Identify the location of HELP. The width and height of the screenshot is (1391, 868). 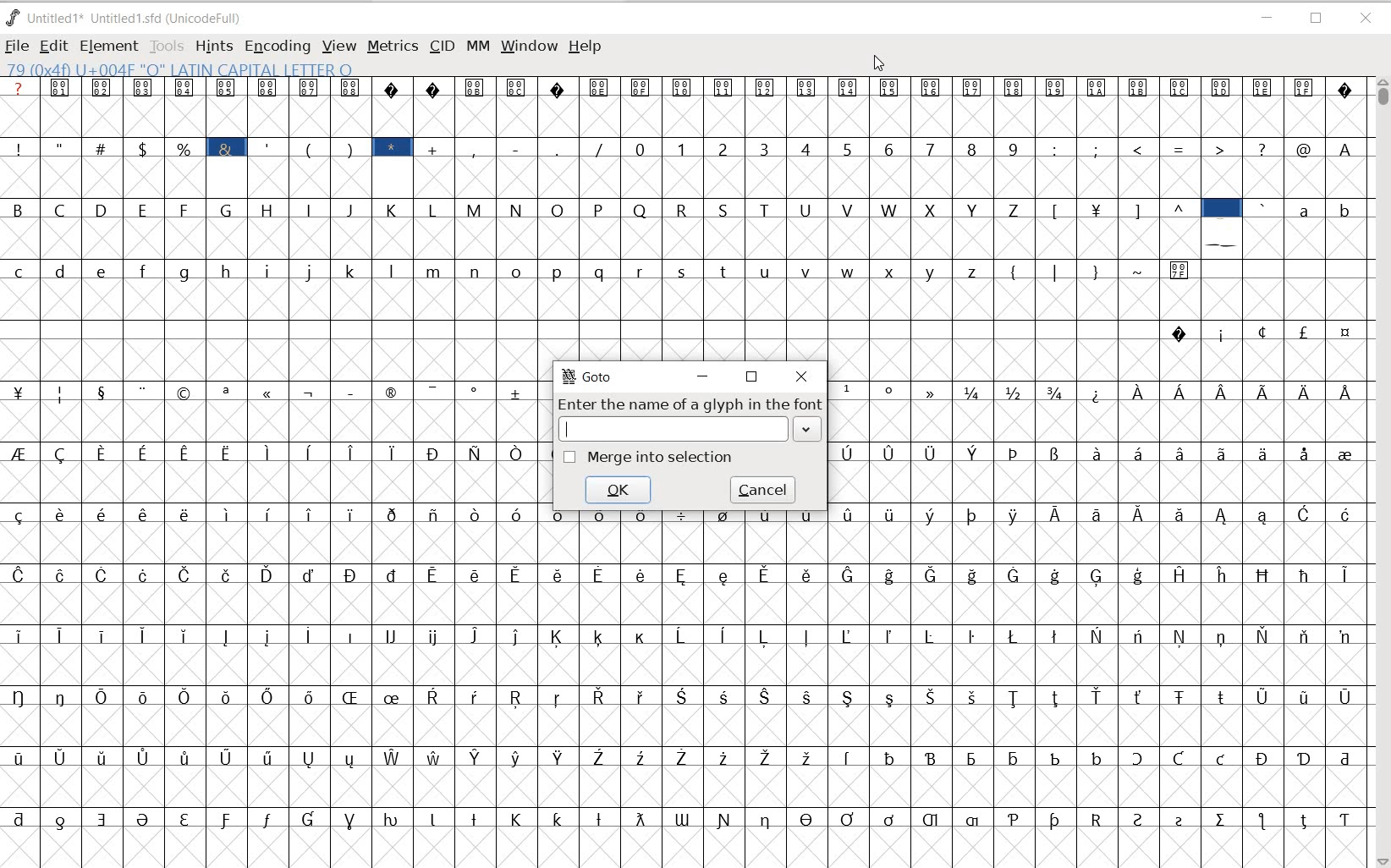
(587, 47).